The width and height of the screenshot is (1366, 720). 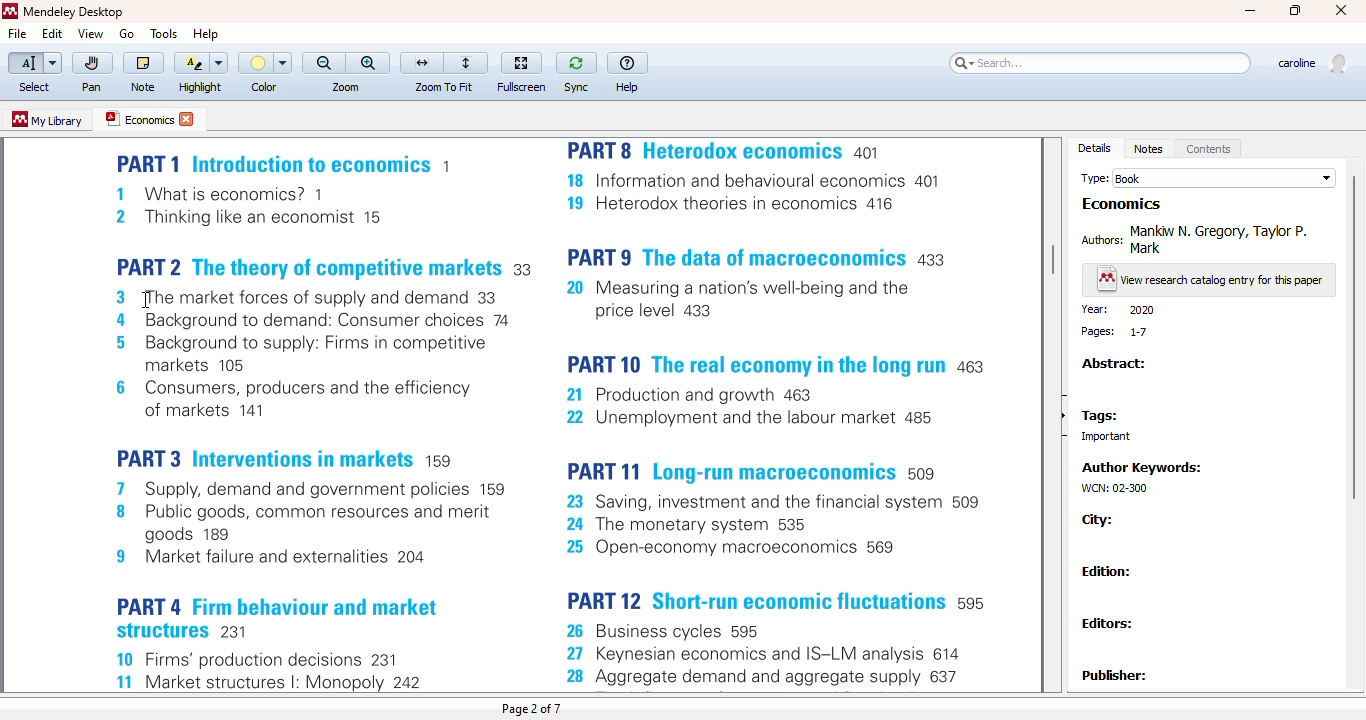 I want to click on maximize, so click(x=1297, y=11).